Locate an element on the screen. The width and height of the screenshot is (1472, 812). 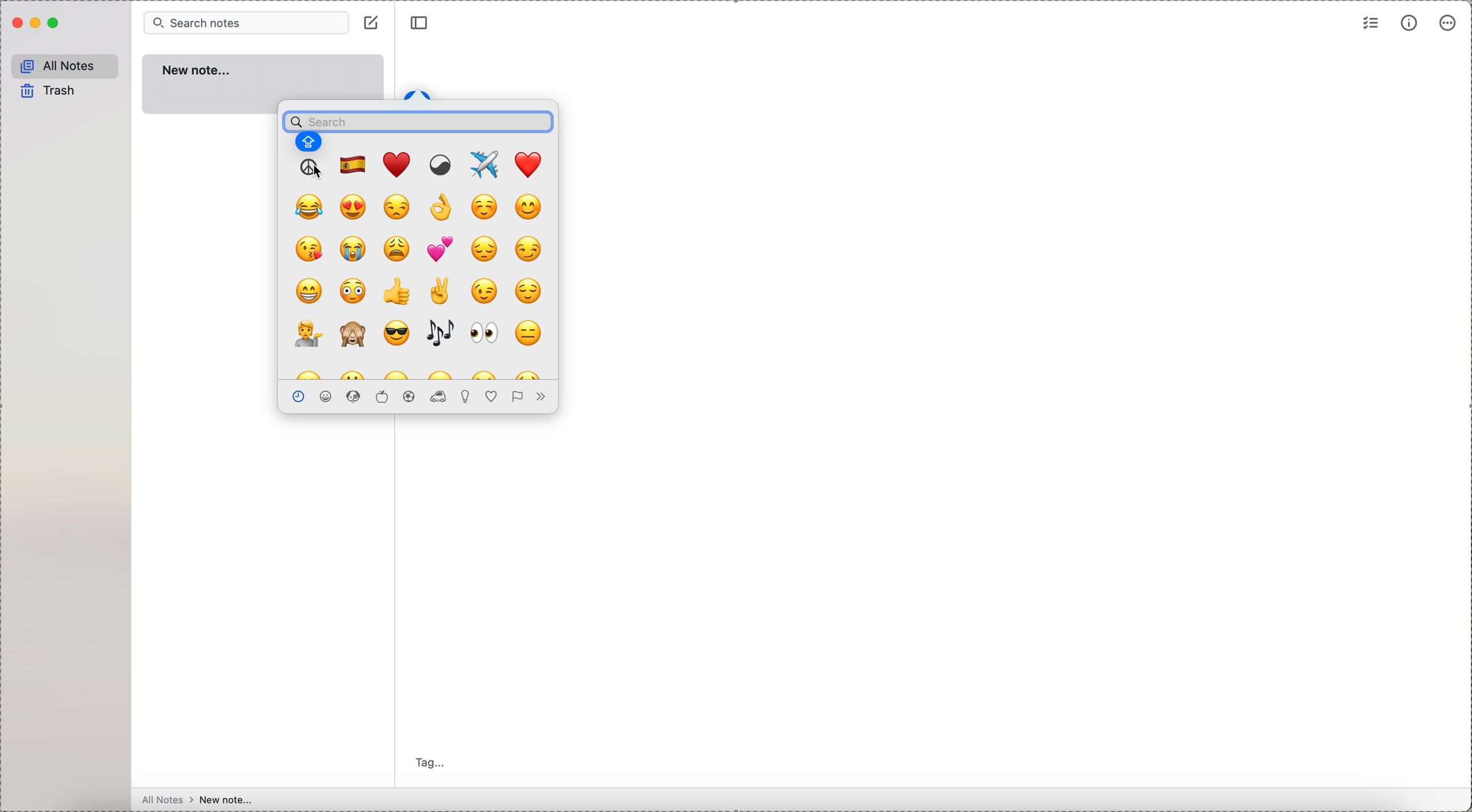
emoji is located at coordinates (398, 290).